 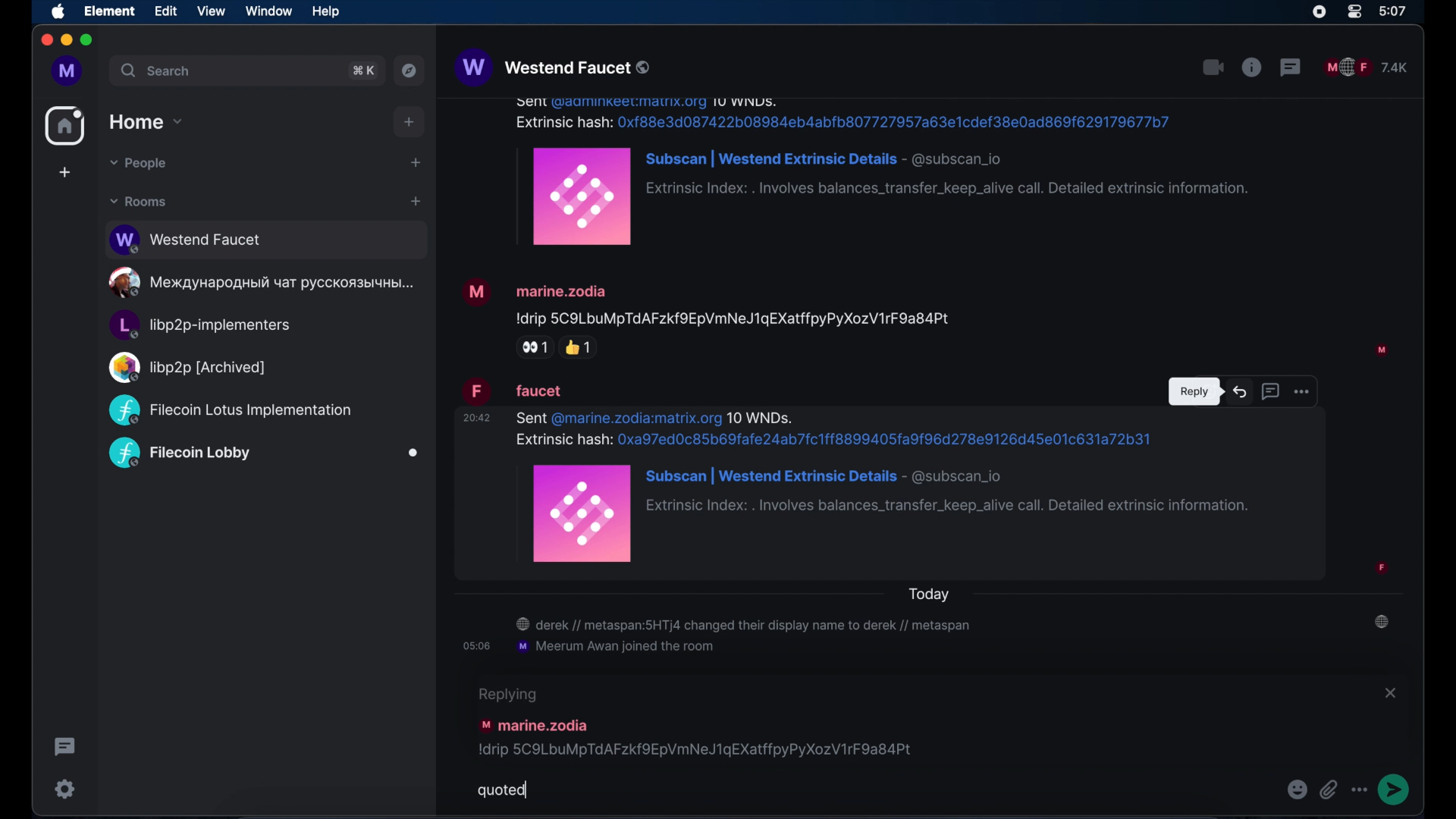 What do you see at coordinates (787, 175) in the screenshot?
I see `message` at bounding box center [787, 175].